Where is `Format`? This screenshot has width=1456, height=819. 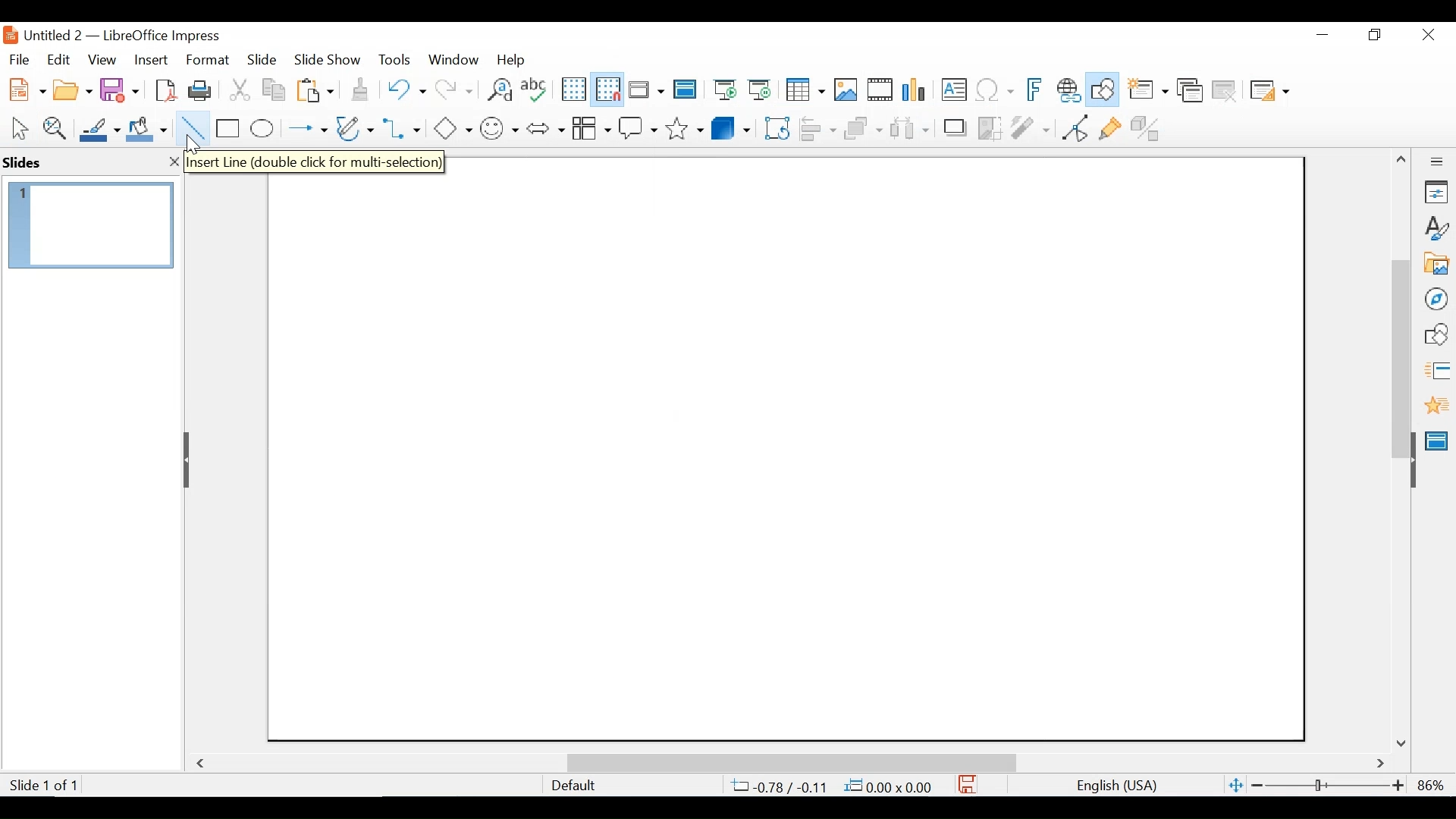
Format is located at coordinates (209, 60).